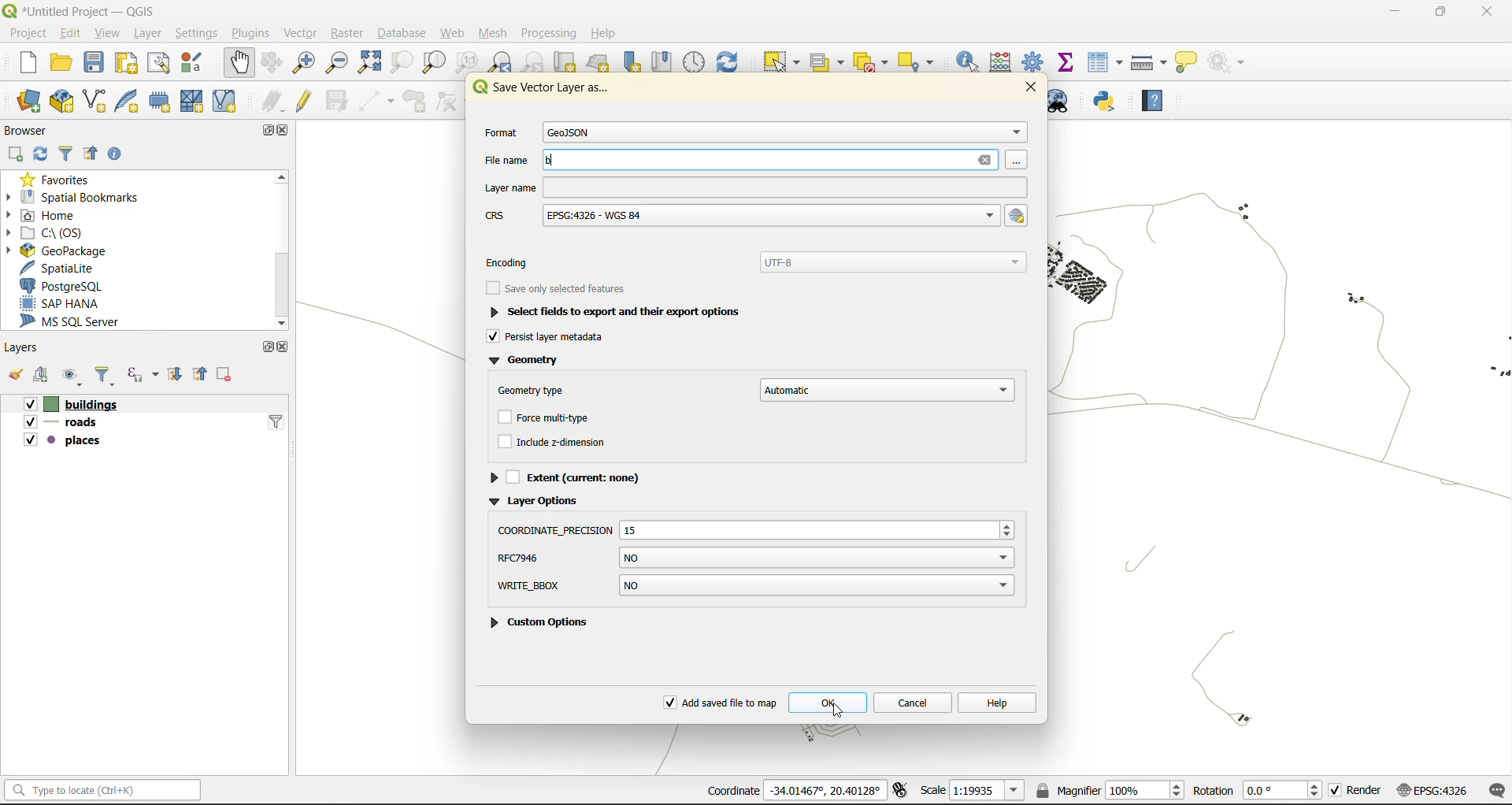 Image resolution: width=1512 pixels, height=805 pixels. I want to click on toolbox, so click(1036, 61).